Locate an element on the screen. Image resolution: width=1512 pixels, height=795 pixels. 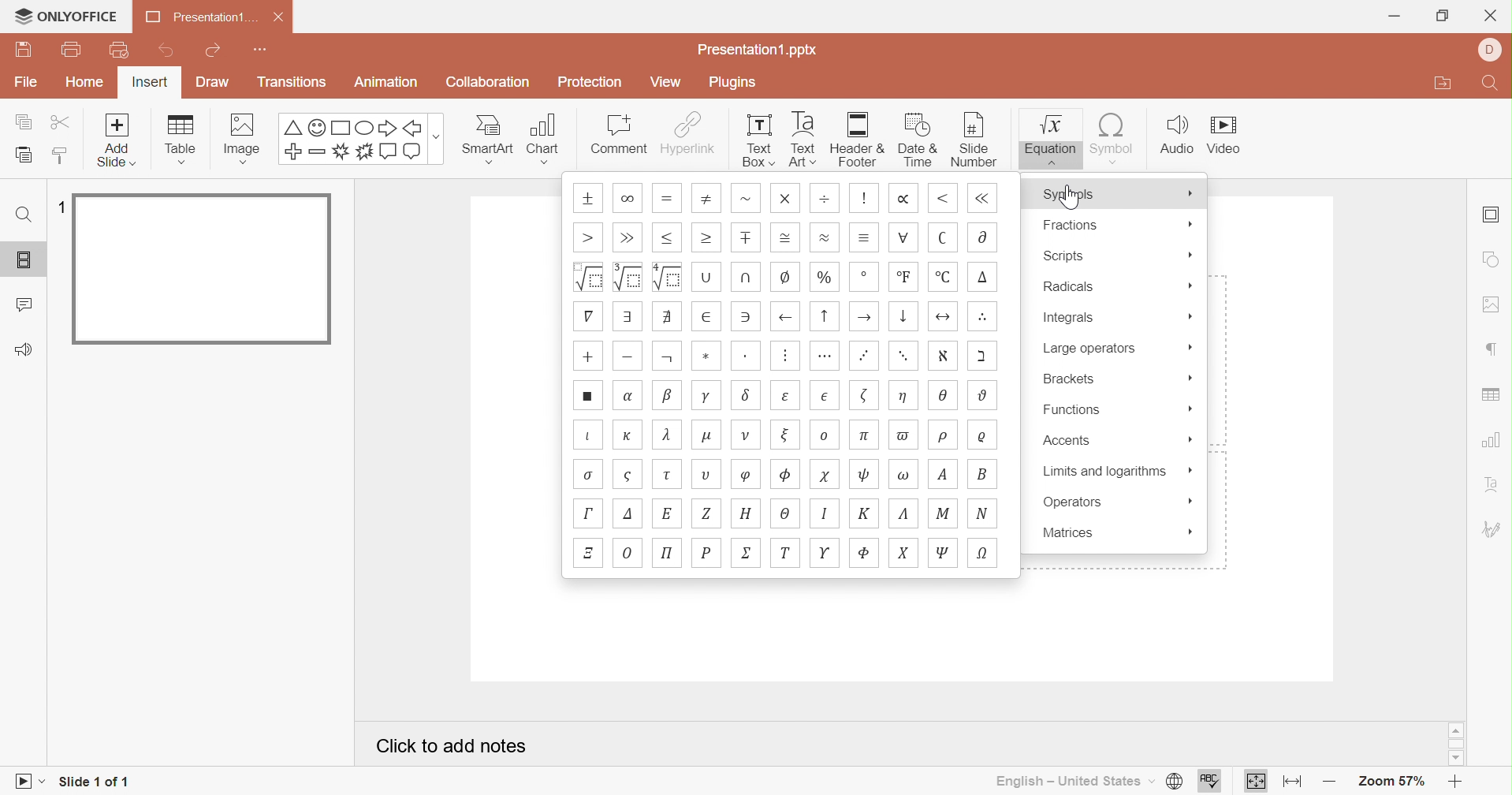
Close is located at coordinates (278, 18).